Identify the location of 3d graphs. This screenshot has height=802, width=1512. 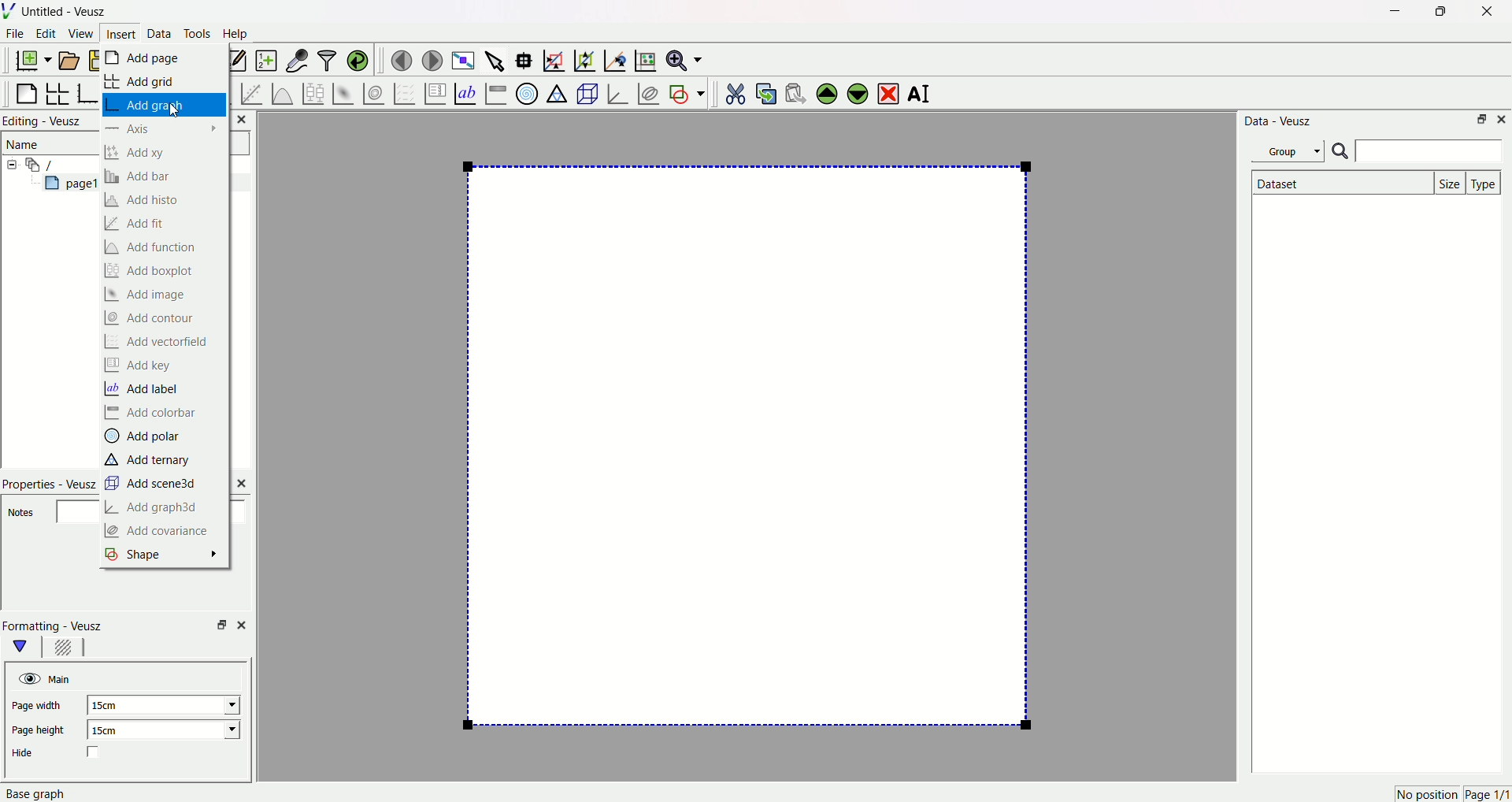
(617, 93).